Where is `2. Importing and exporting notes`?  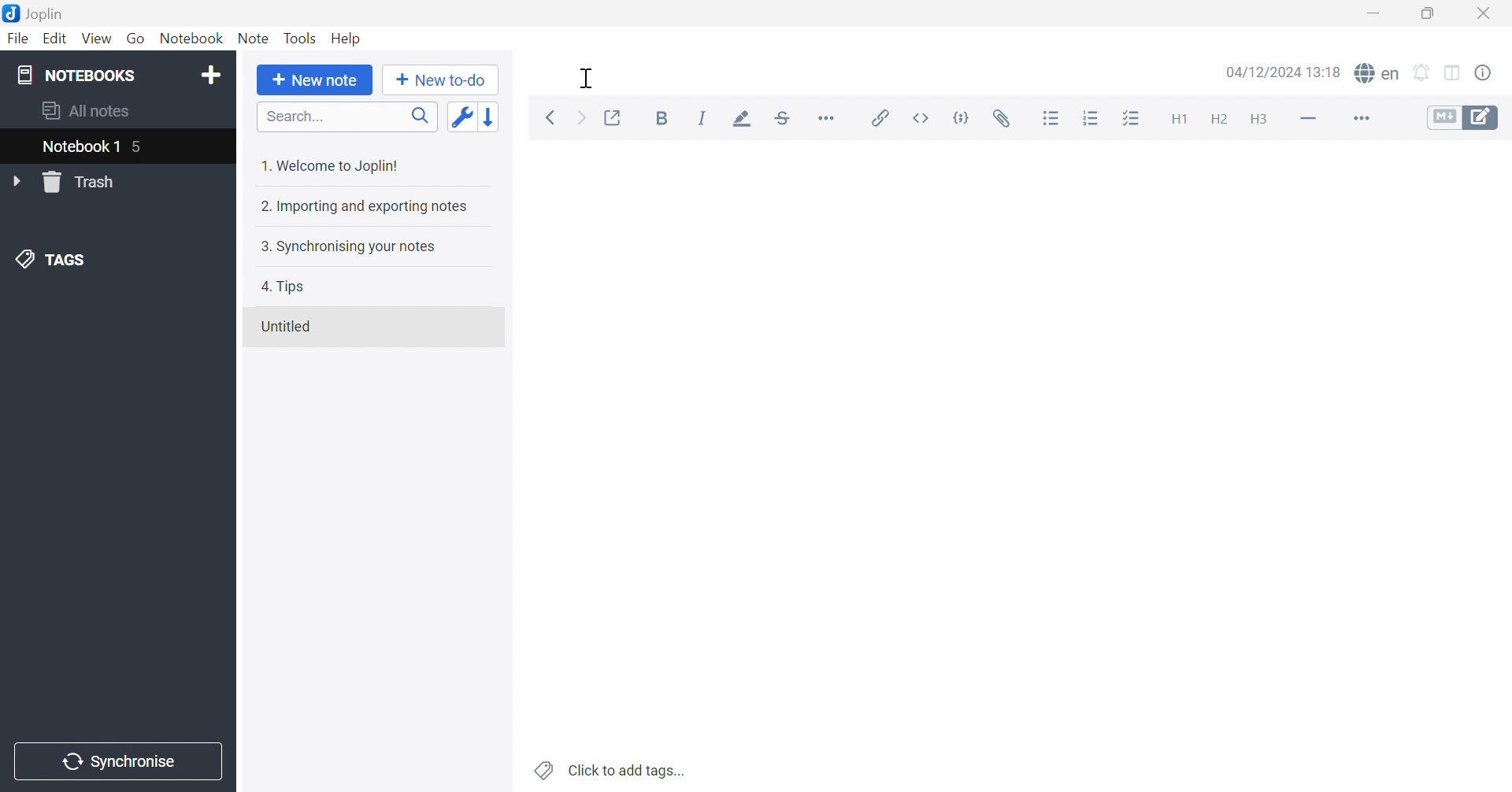 2. Importing and exporting notes is located at coordinates (362, 207).